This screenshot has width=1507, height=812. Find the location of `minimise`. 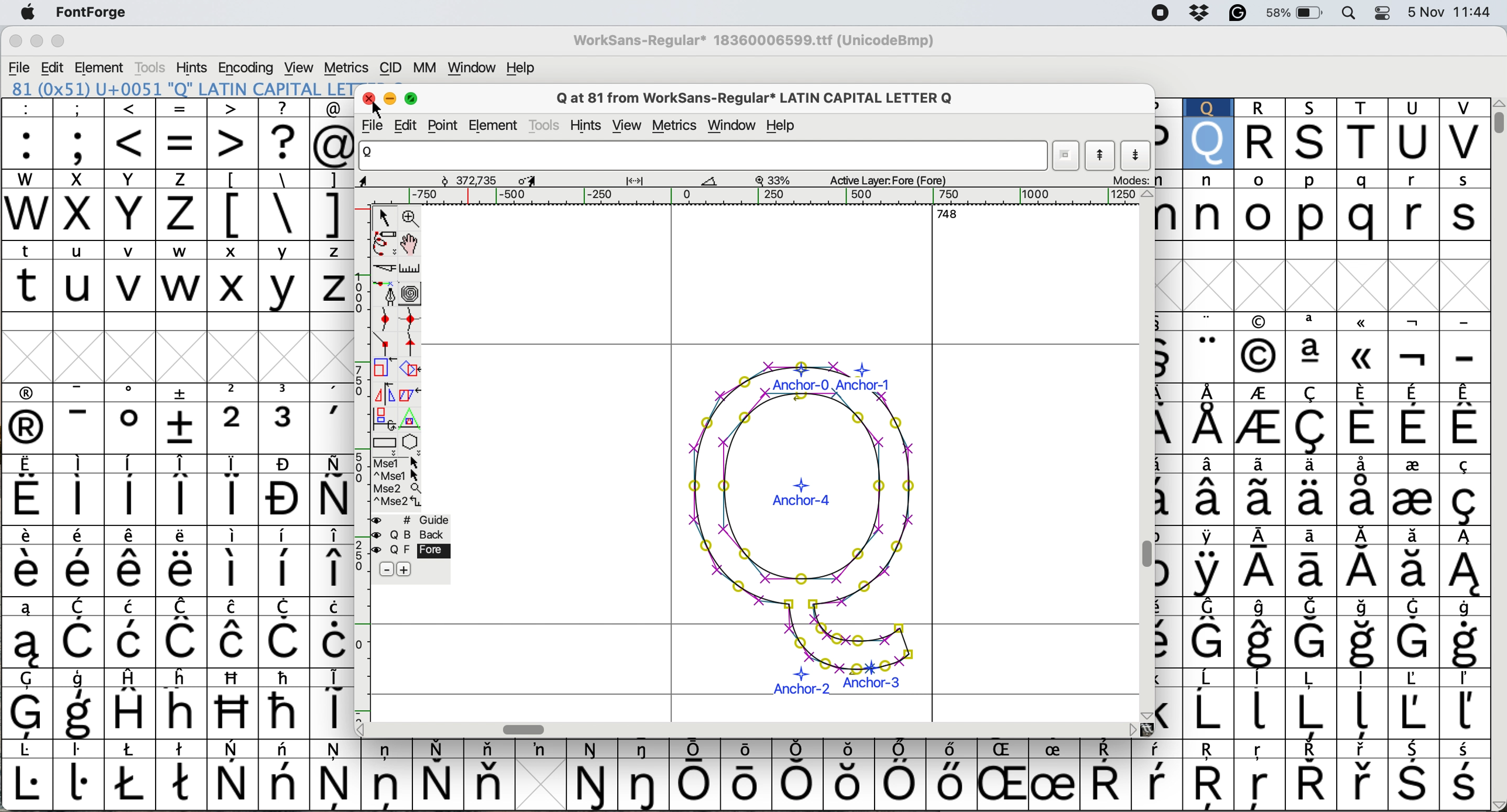

minimise is located at coordinates (390, 99).